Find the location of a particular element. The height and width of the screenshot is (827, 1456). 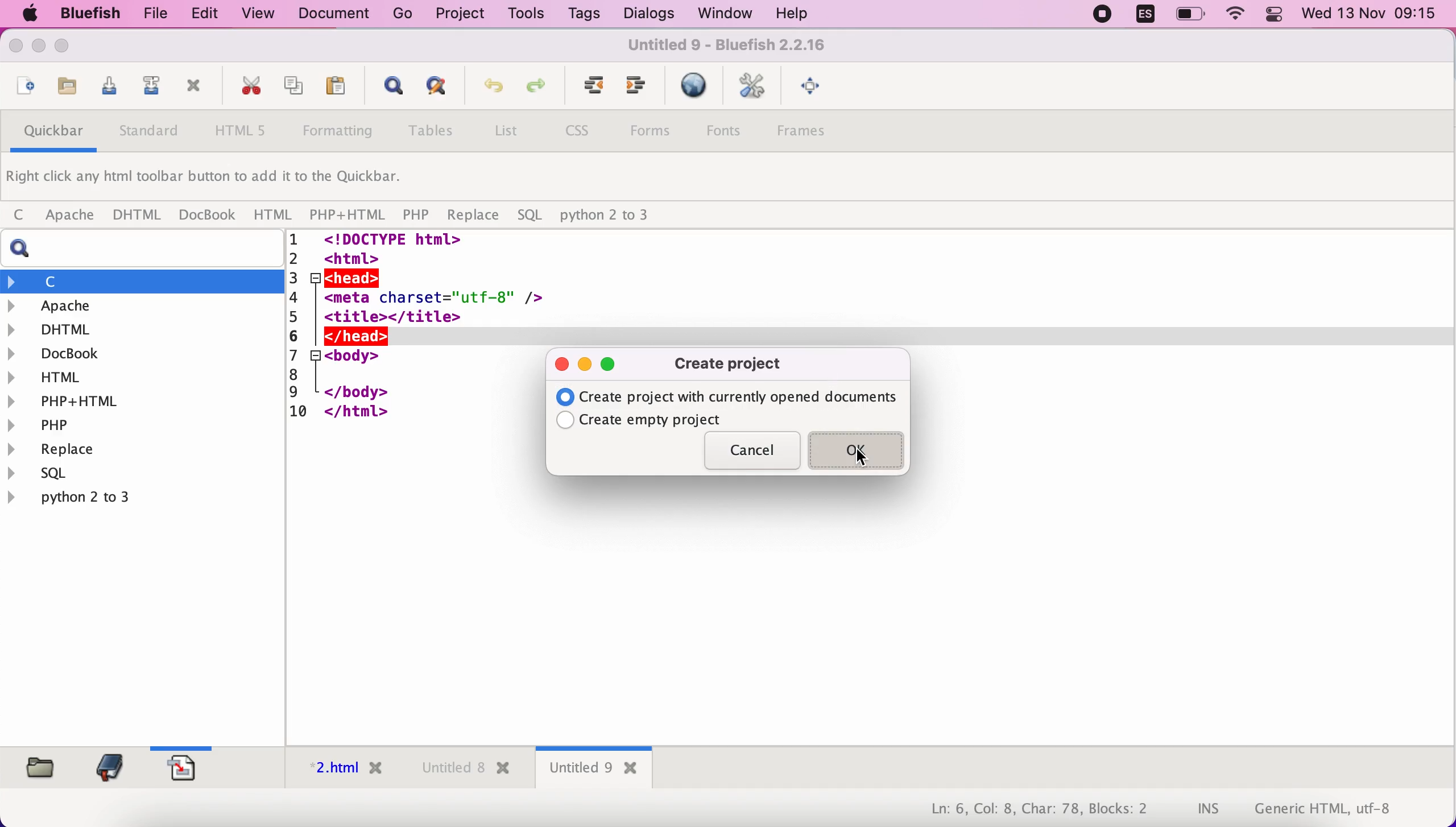

python 2 to 3 is located at coordinates (88, 497).